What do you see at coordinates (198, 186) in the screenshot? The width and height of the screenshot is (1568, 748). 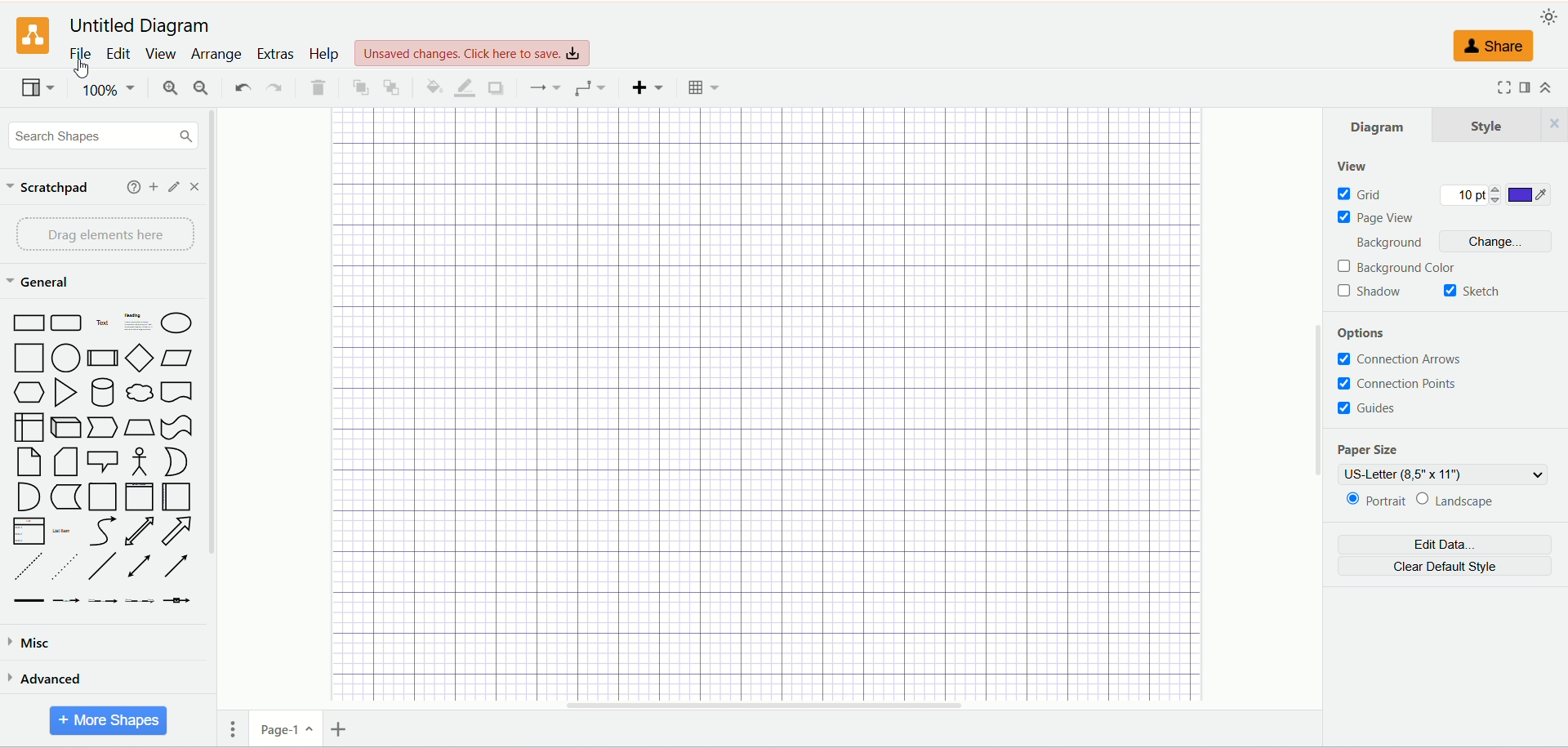 I see `close` at bounding box center [198, 186].